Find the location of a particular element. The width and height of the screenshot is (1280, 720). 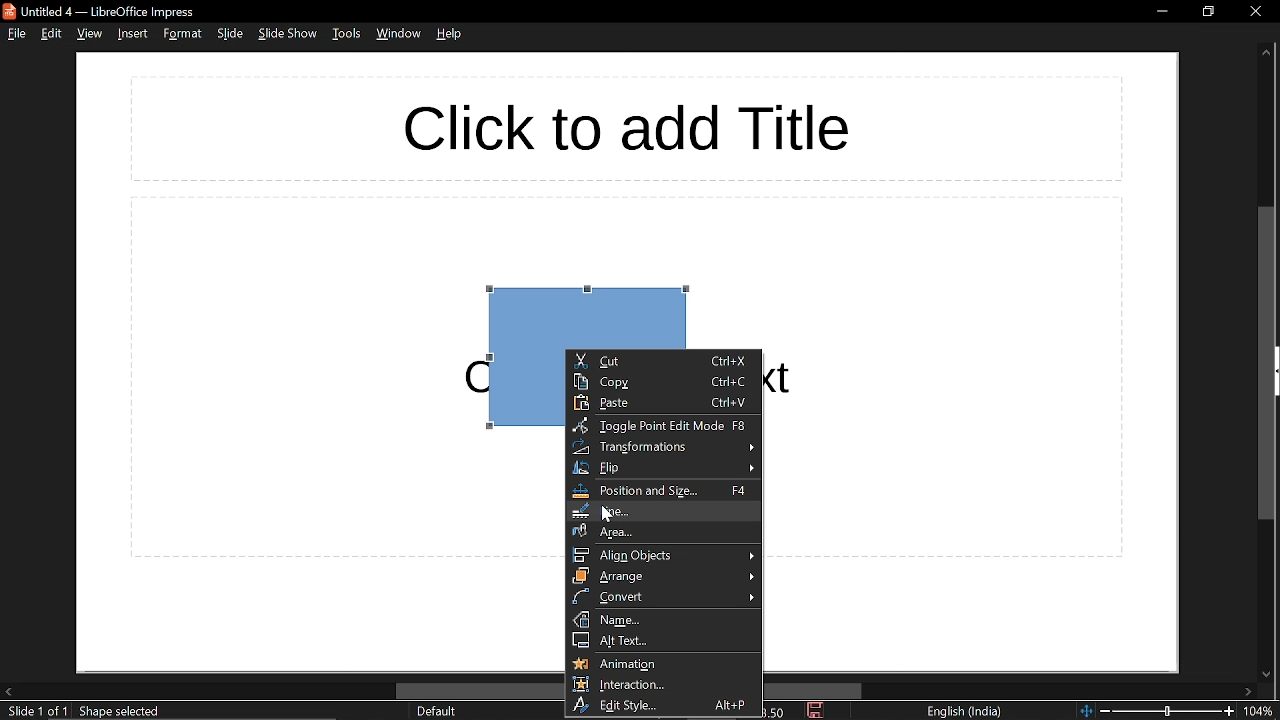

flip is located at coordinates (665, 469).